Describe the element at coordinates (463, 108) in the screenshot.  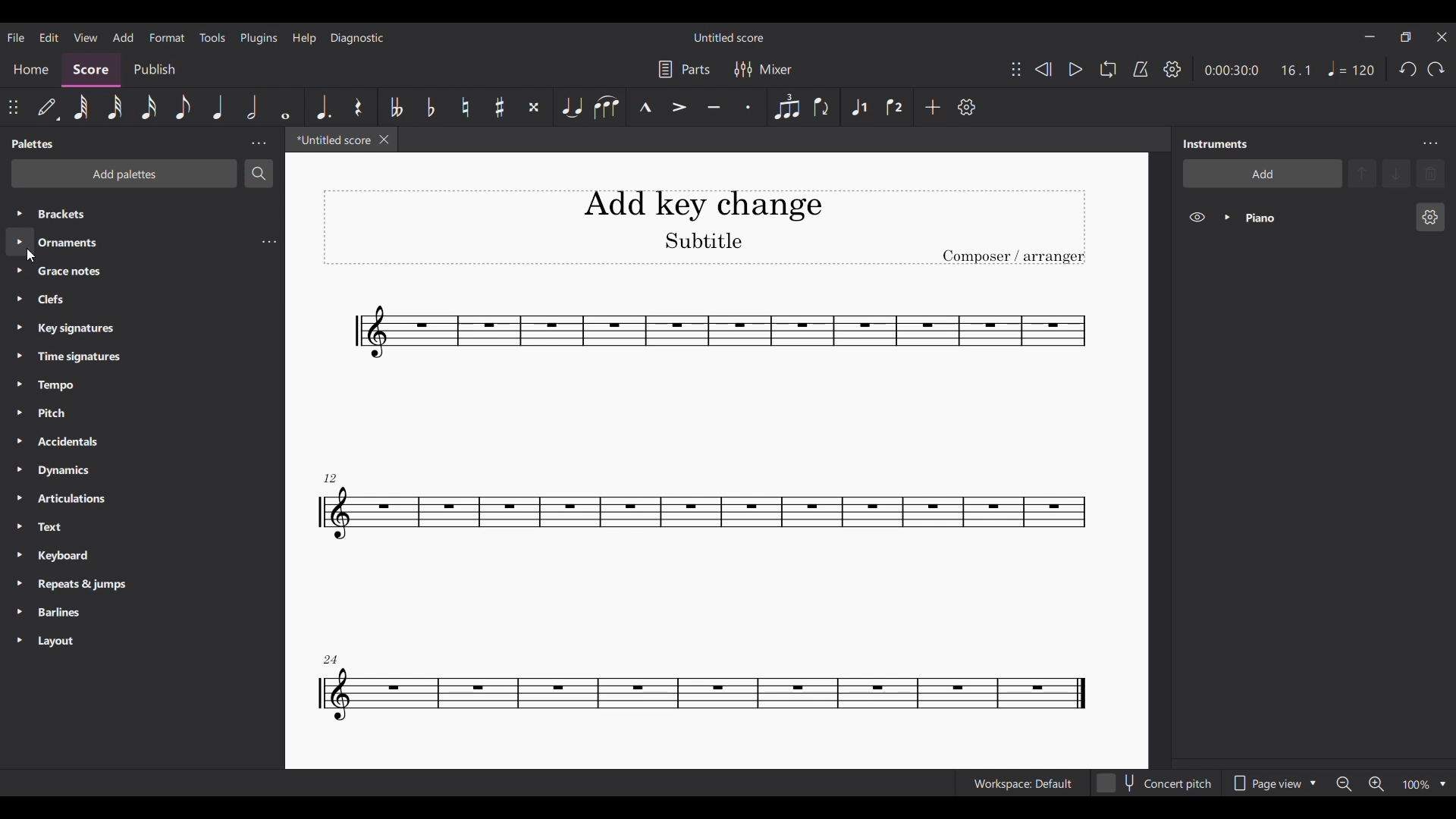
I see `Toggle natural` at that location.